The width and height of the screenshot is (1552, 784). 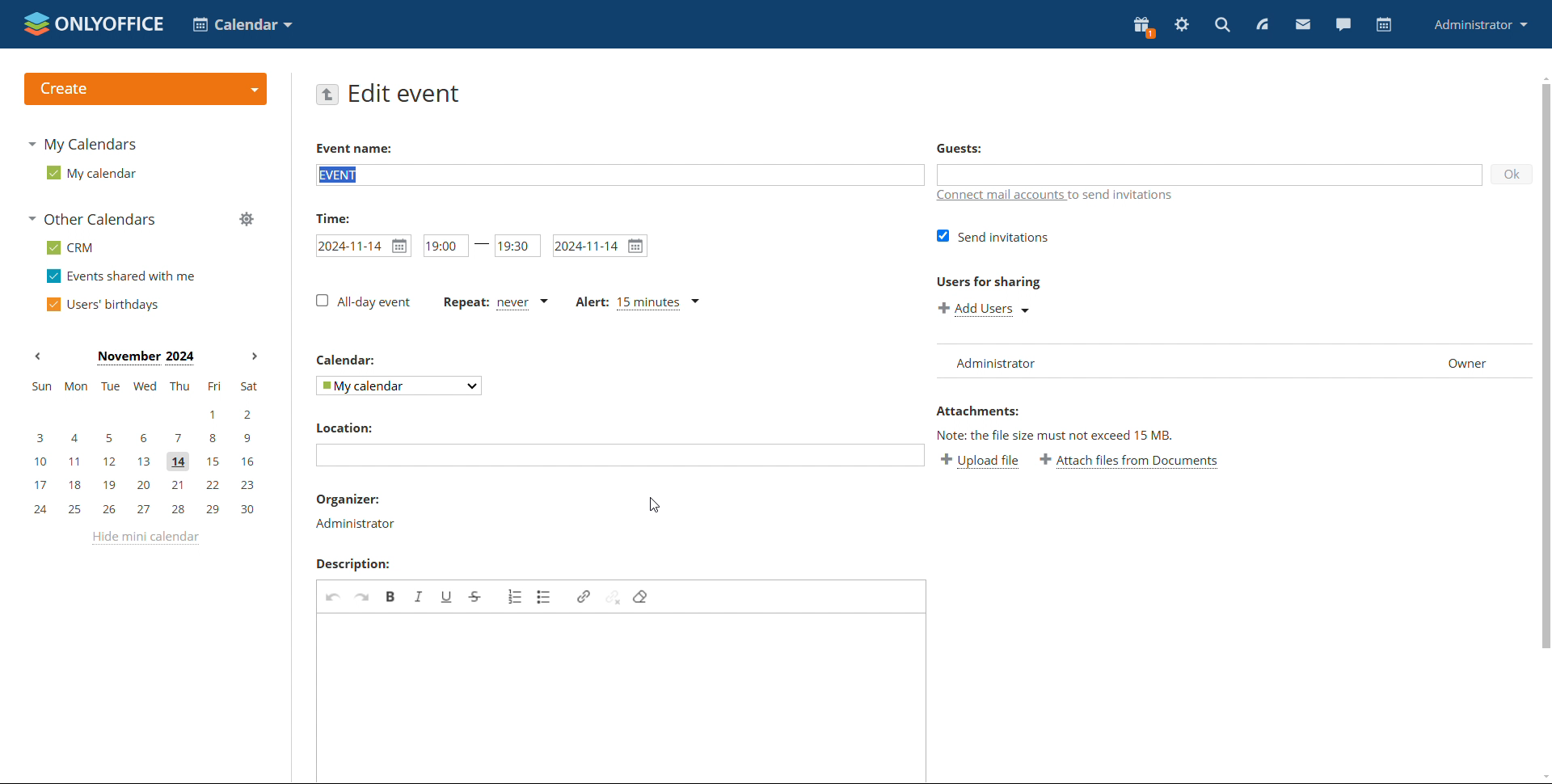 What do you see at coordinates (620, 696) in the screenshot?
I see `add description` at bounding box center [620, 696].